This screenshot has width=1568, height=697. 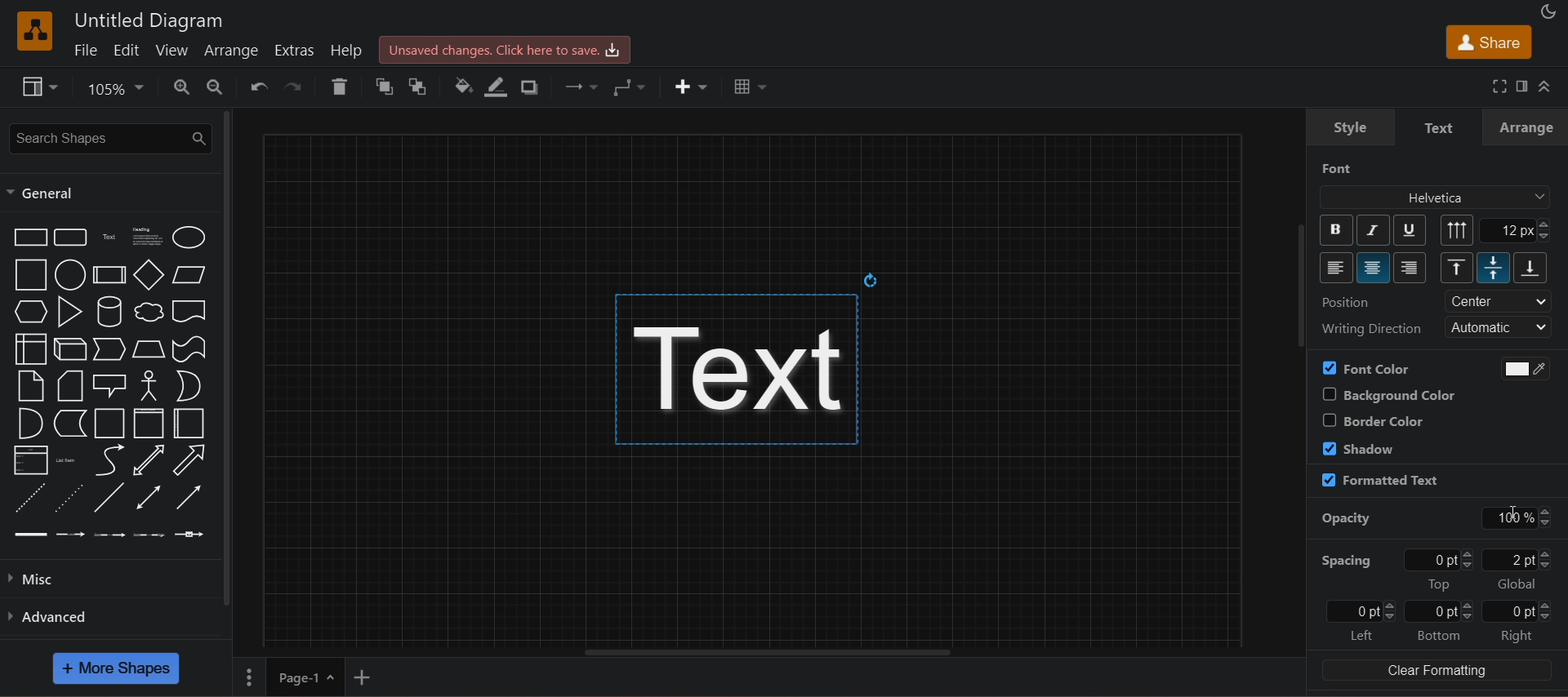 What do you see at coordinates (497, 87) in the screenshot?
I see `line color` at bounding box center [497, 87].